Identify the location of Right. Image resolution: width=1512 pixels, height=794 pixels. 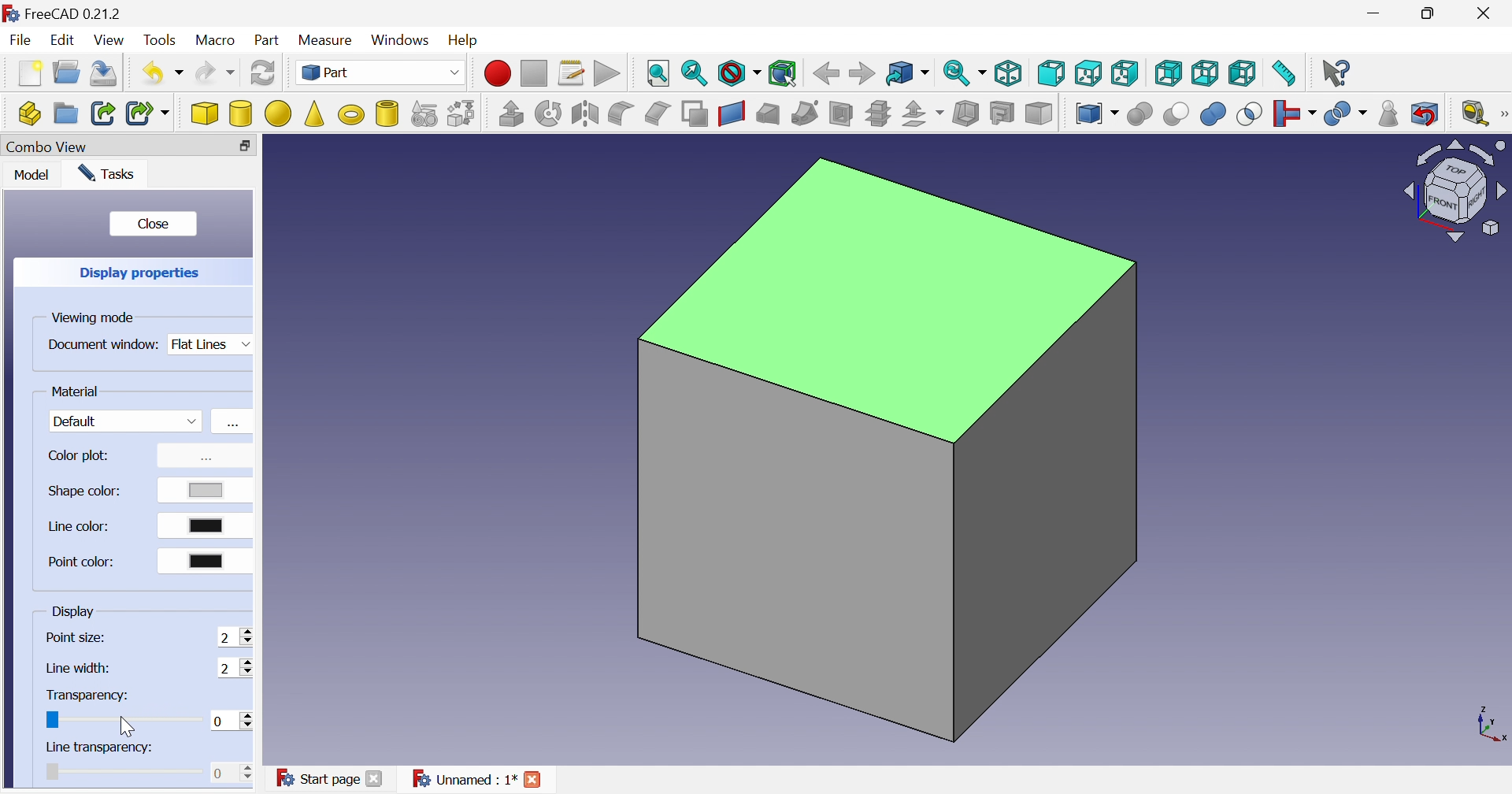
(1125, 72).